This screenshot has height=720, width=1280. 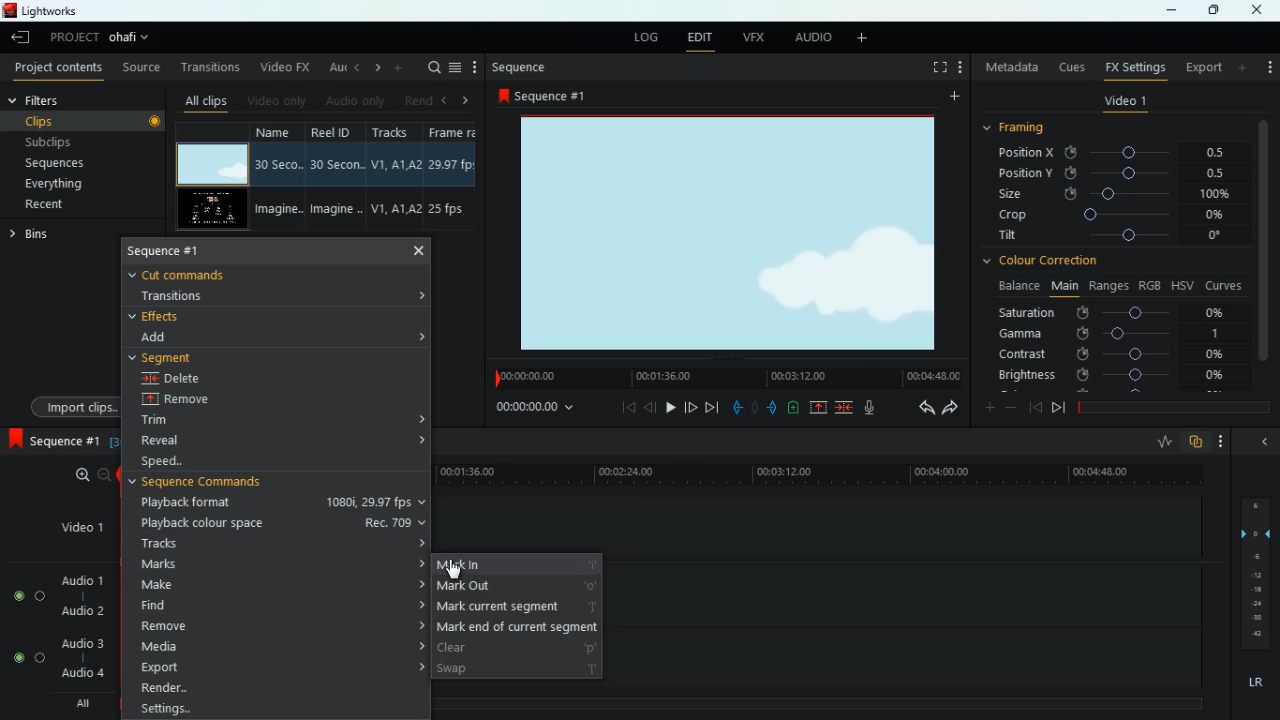 I want to click on more, so click(x=1221, y=440).